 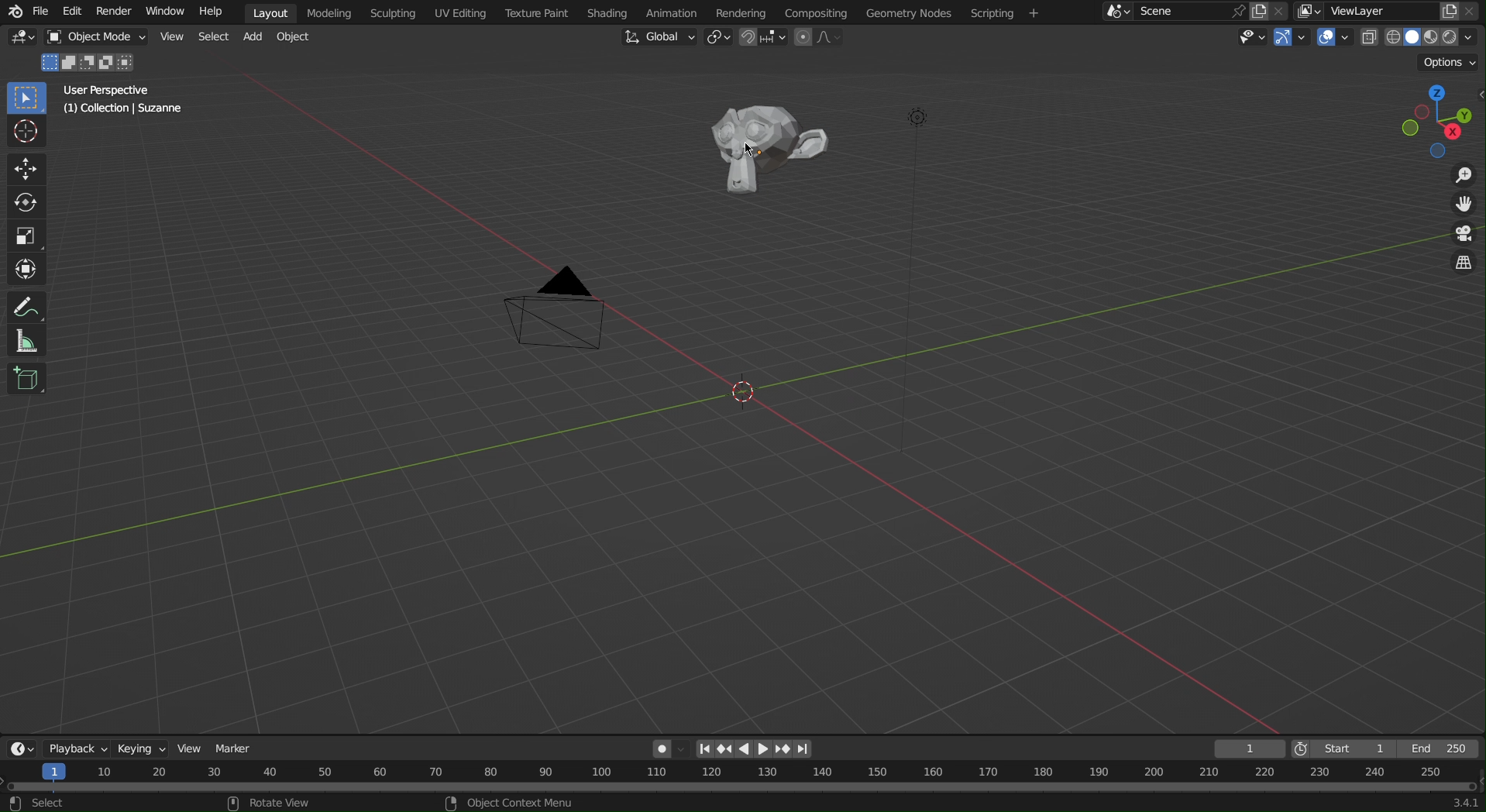 What do you see at coordinates (731, 748) in the screenshot?
I see `previous` at bounding box center [731, 748].